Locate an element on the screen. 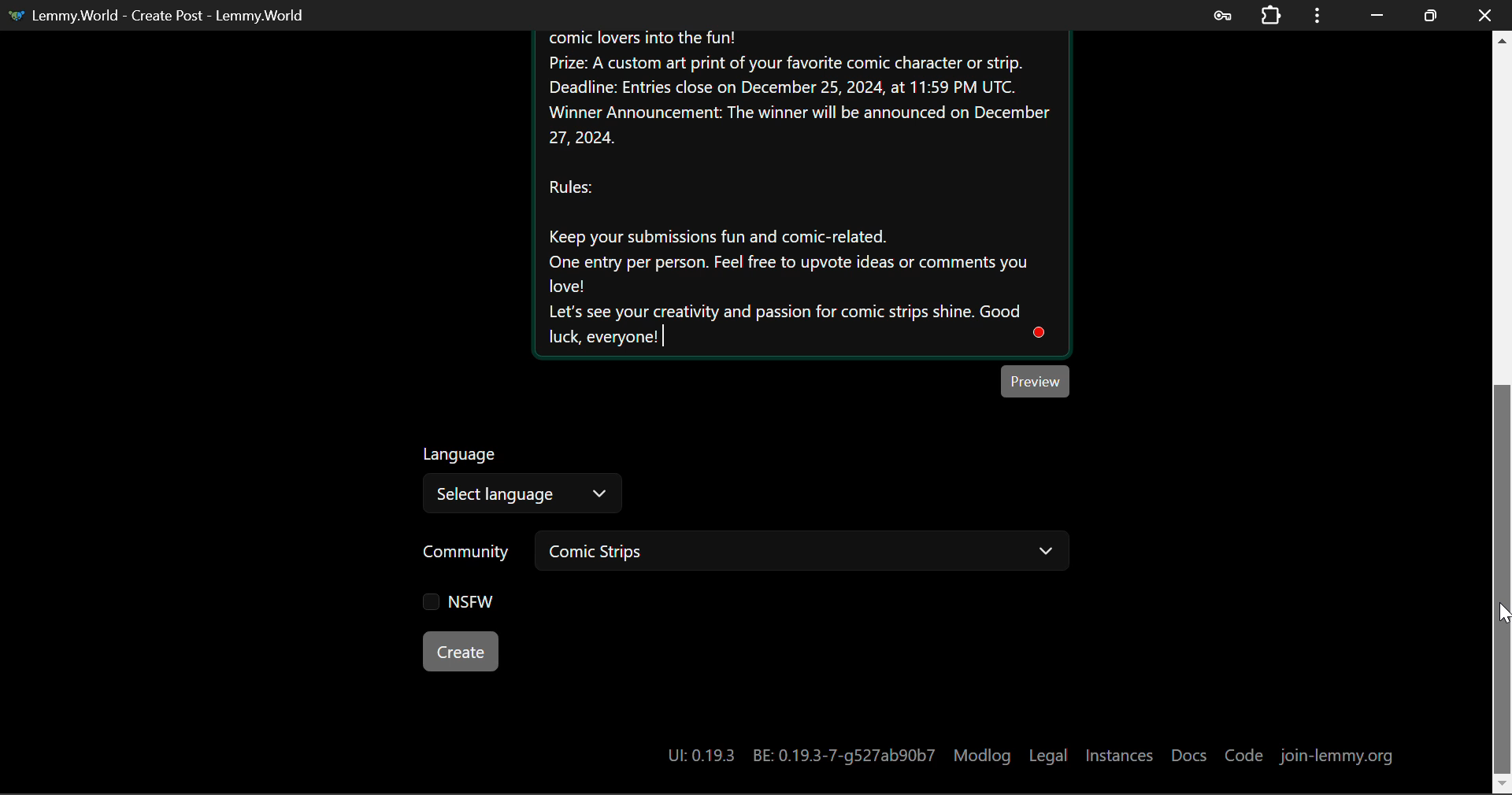 The height and width of the screenshot is (795, 1512). Minimize Window is located at coordinates (1430, 13).